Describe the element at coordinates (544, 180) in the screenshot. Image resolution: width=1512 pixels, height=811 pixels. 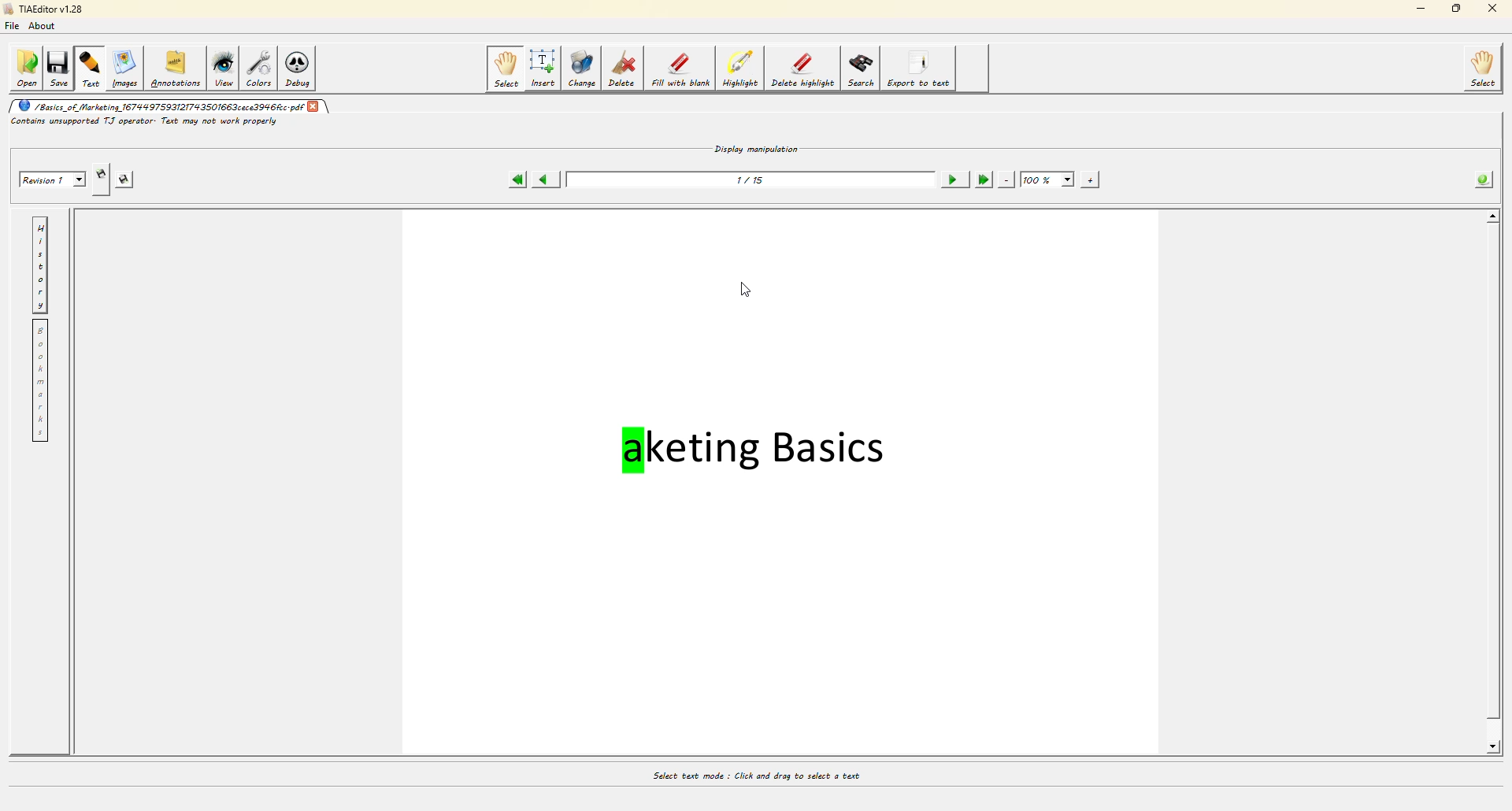
I see `previous page` at that location.